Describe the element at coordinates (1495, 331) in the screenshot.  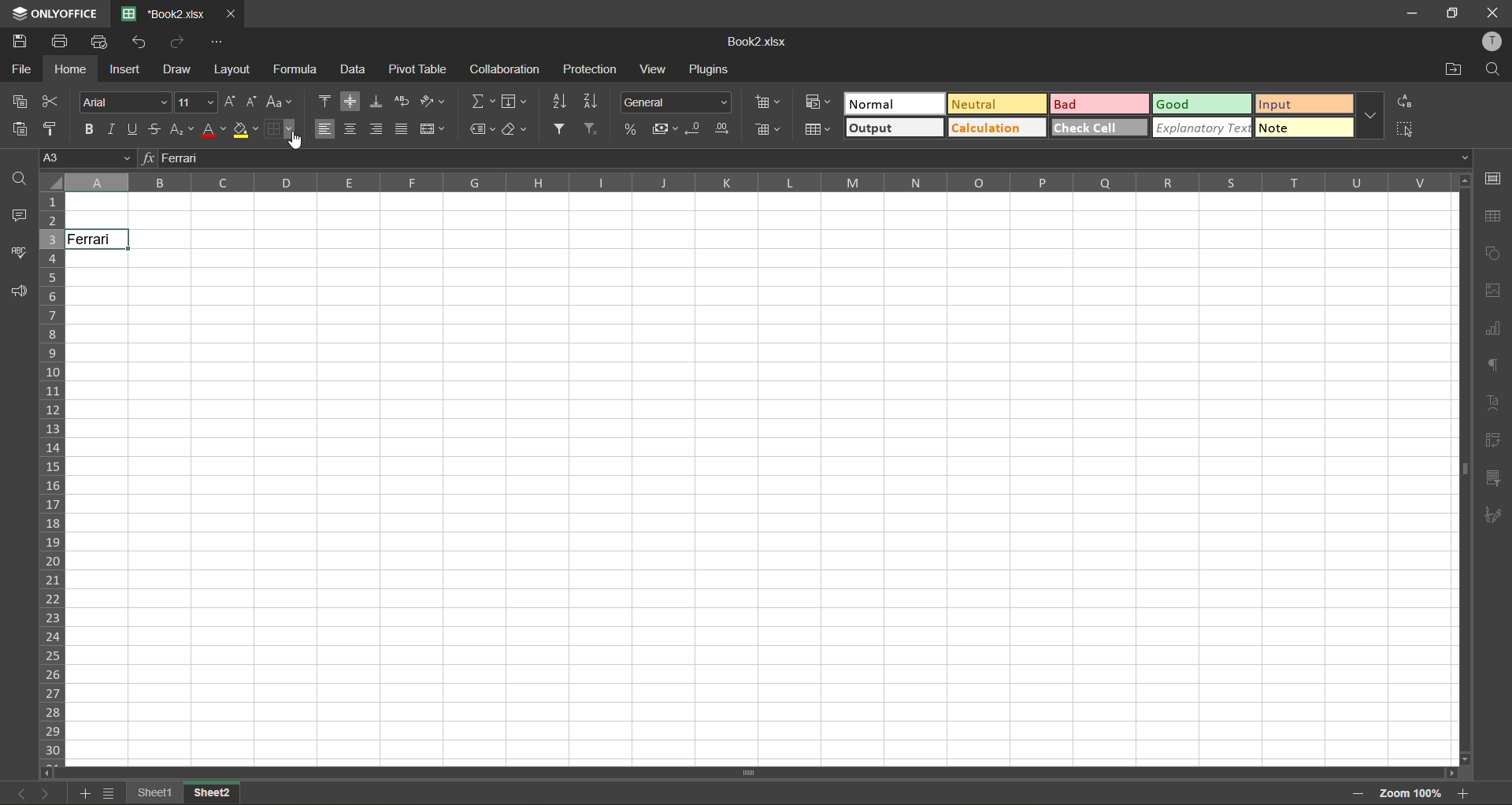
I see `charts` at that location.